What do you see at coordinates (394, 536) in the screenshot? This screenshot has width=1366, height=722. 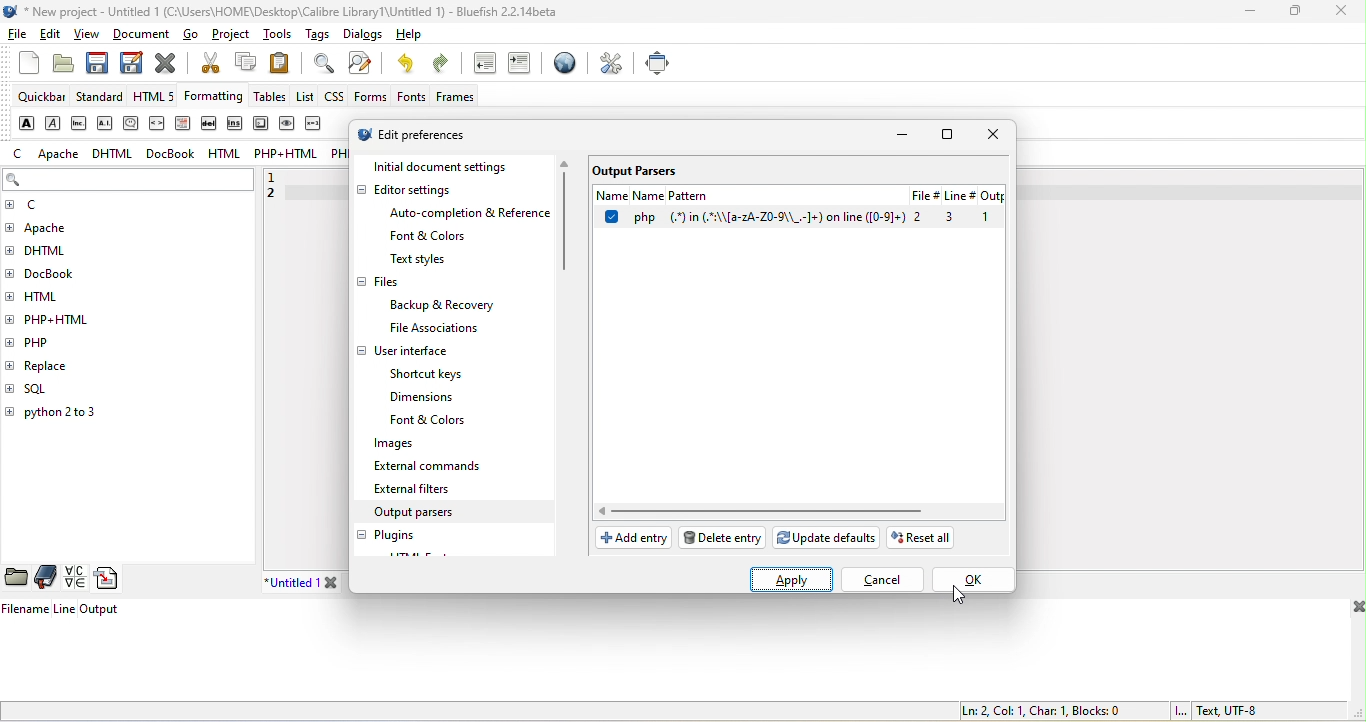 I see `plugins` at bounding box center [394, 536].